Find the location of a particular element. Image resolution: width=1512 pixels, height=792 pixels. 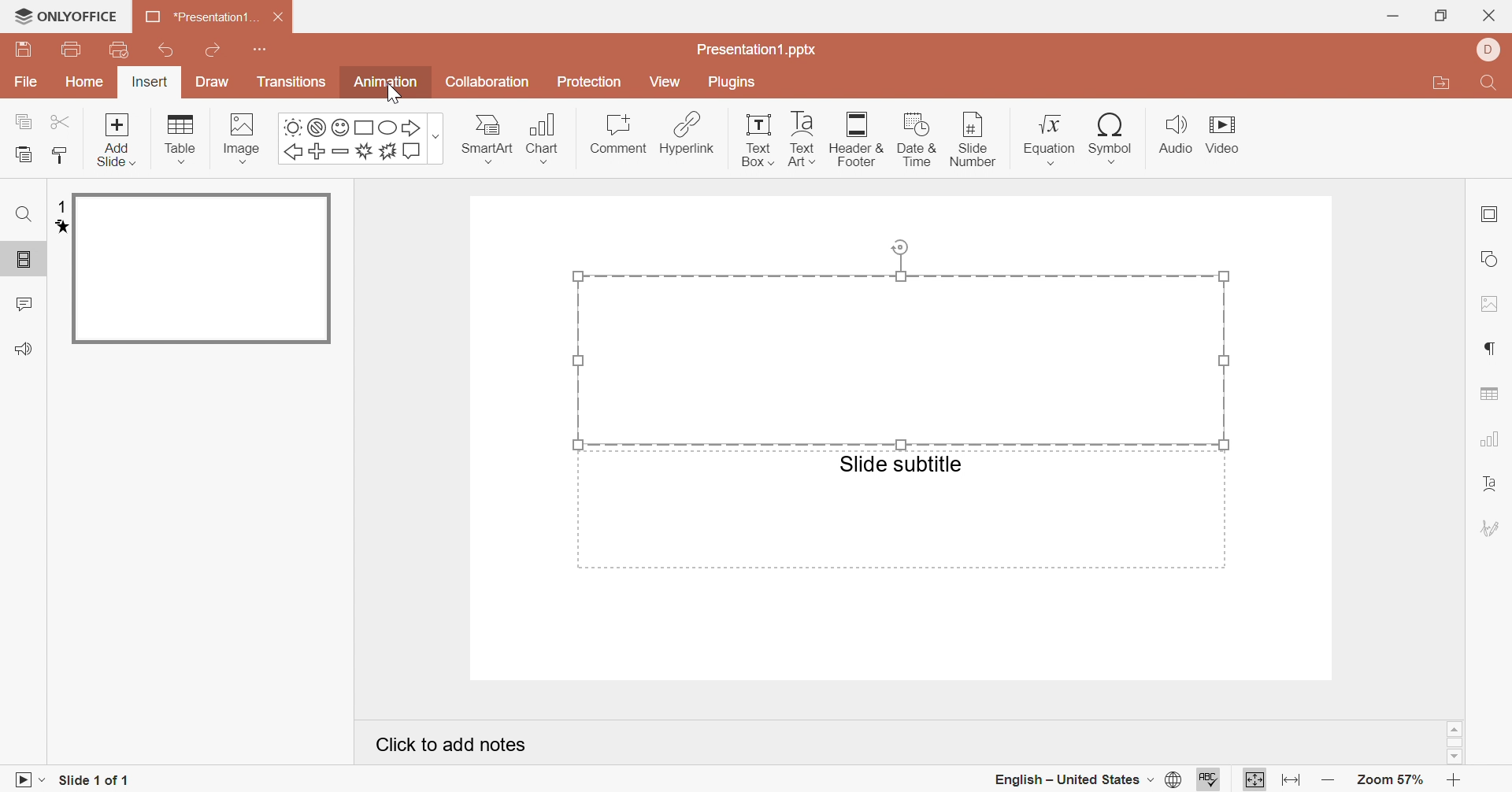

chart is located at coordinates (546, 138).